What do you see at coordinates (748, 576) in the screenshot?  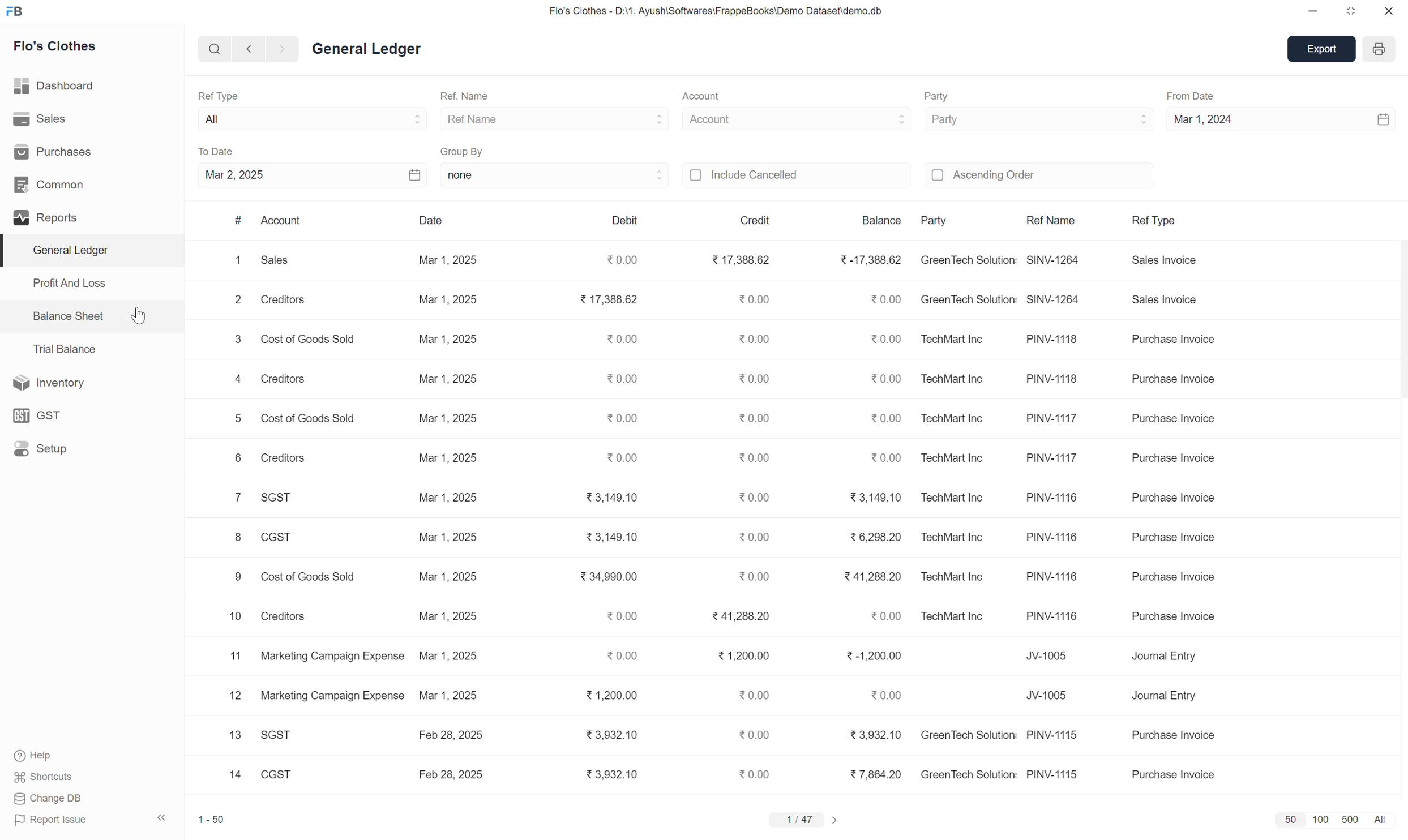 I see `0.00` at bounding box center [748, 576].